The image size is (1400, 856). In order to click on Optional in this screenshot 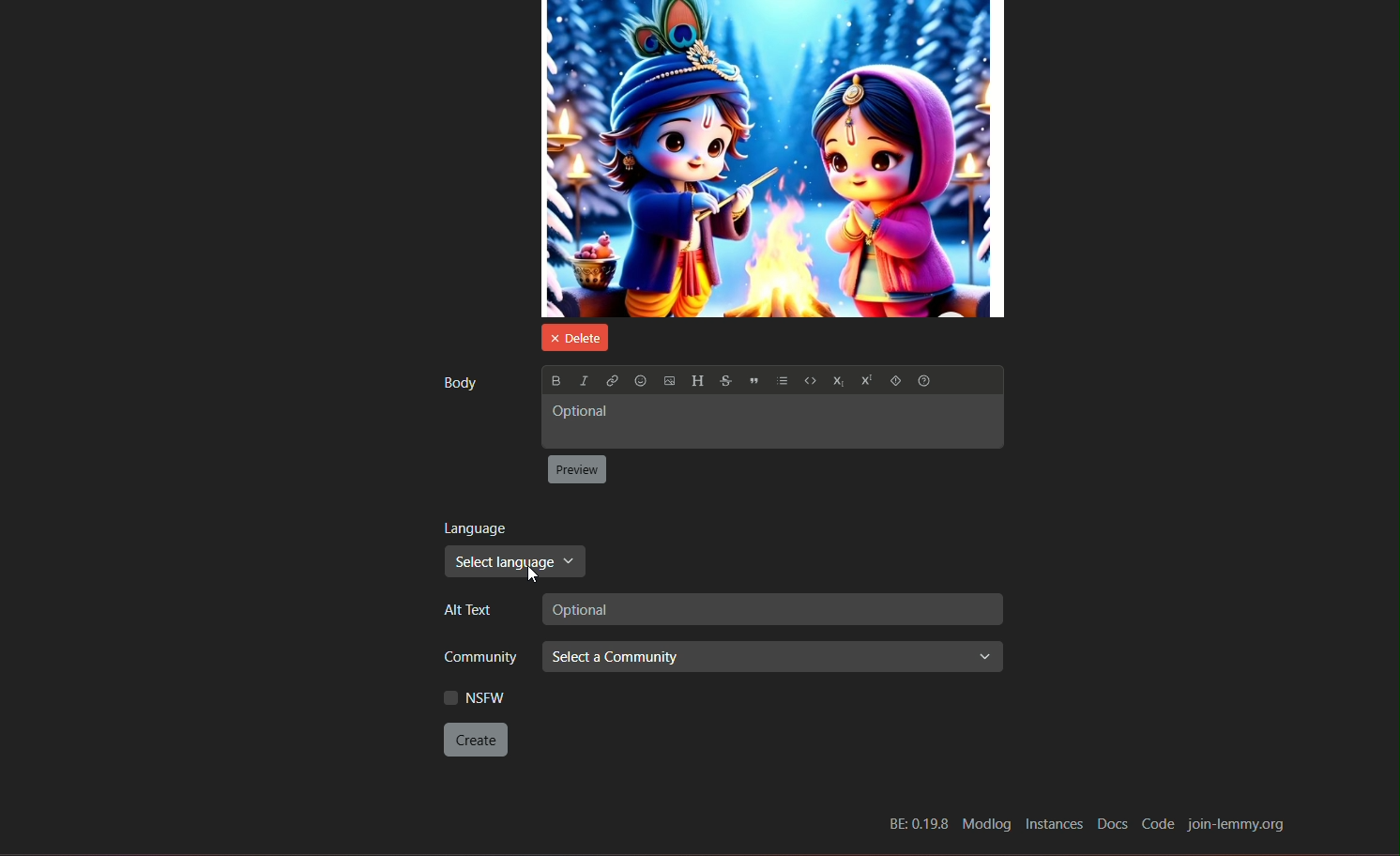, I will do `click(770, 423)`.